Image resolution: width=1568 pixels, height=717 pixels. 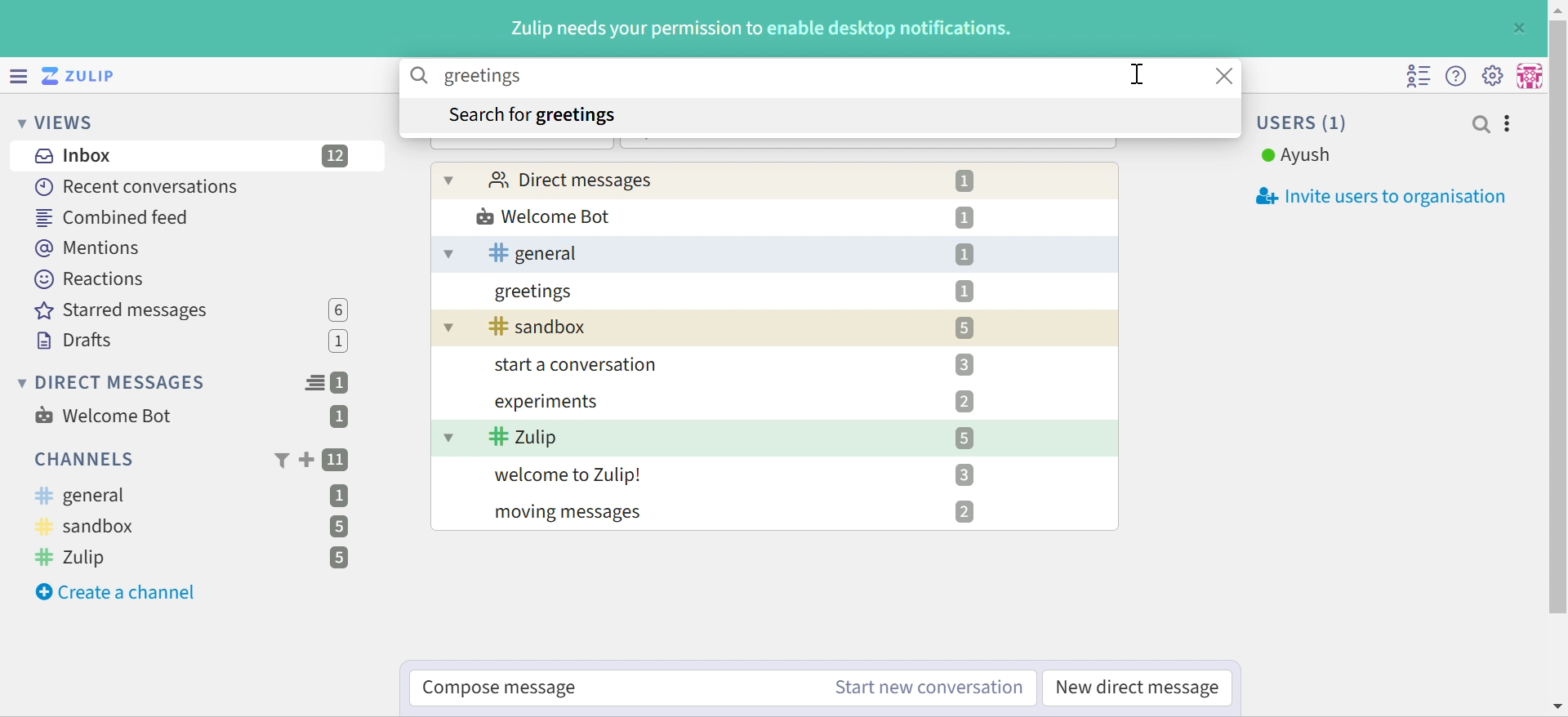 What do you see at coordinates (81, 496) in the screenshot?
I see `#general` at bounding box center [81, 496].